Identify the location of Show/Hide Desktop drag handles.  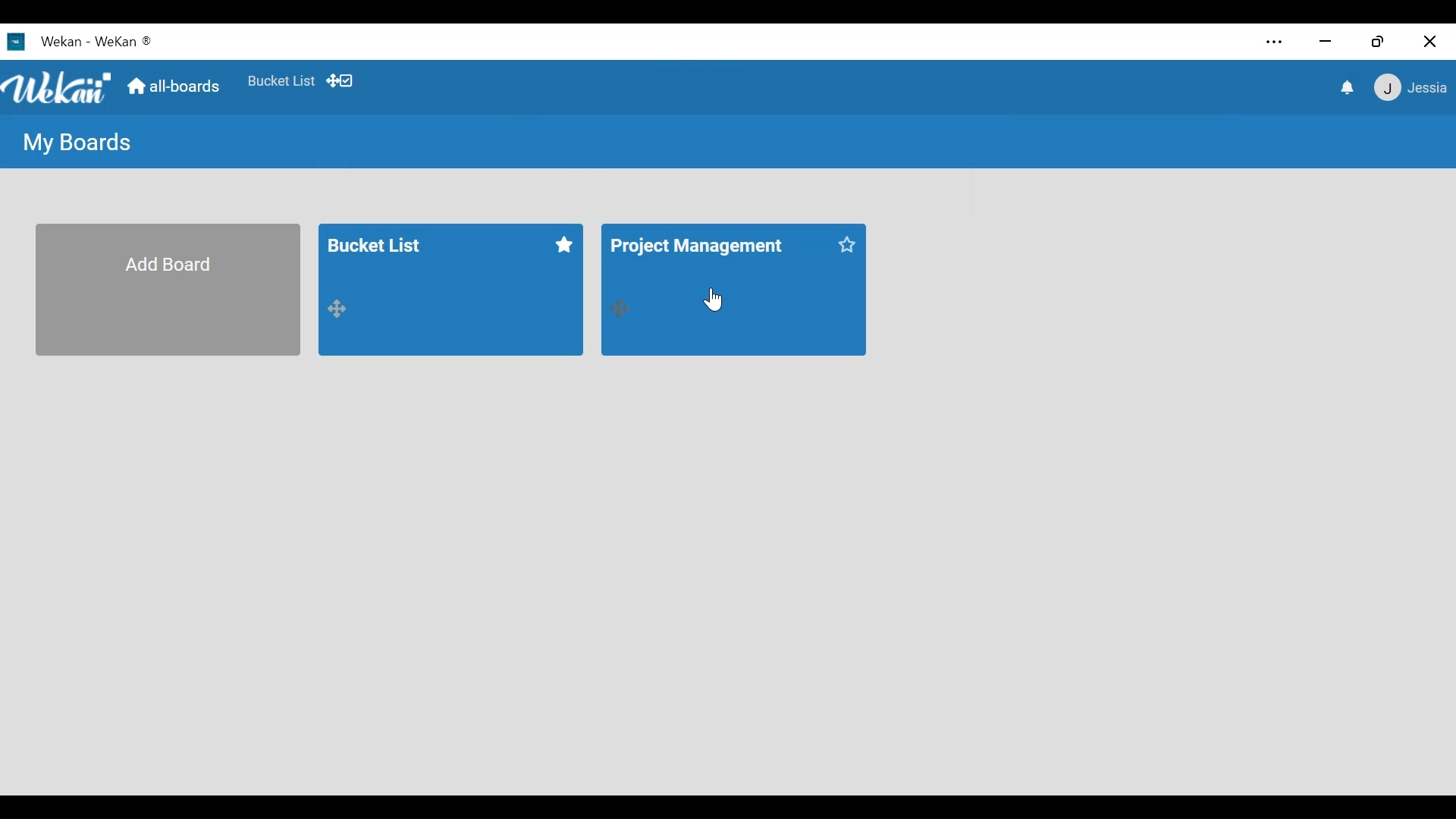
(339, 81).